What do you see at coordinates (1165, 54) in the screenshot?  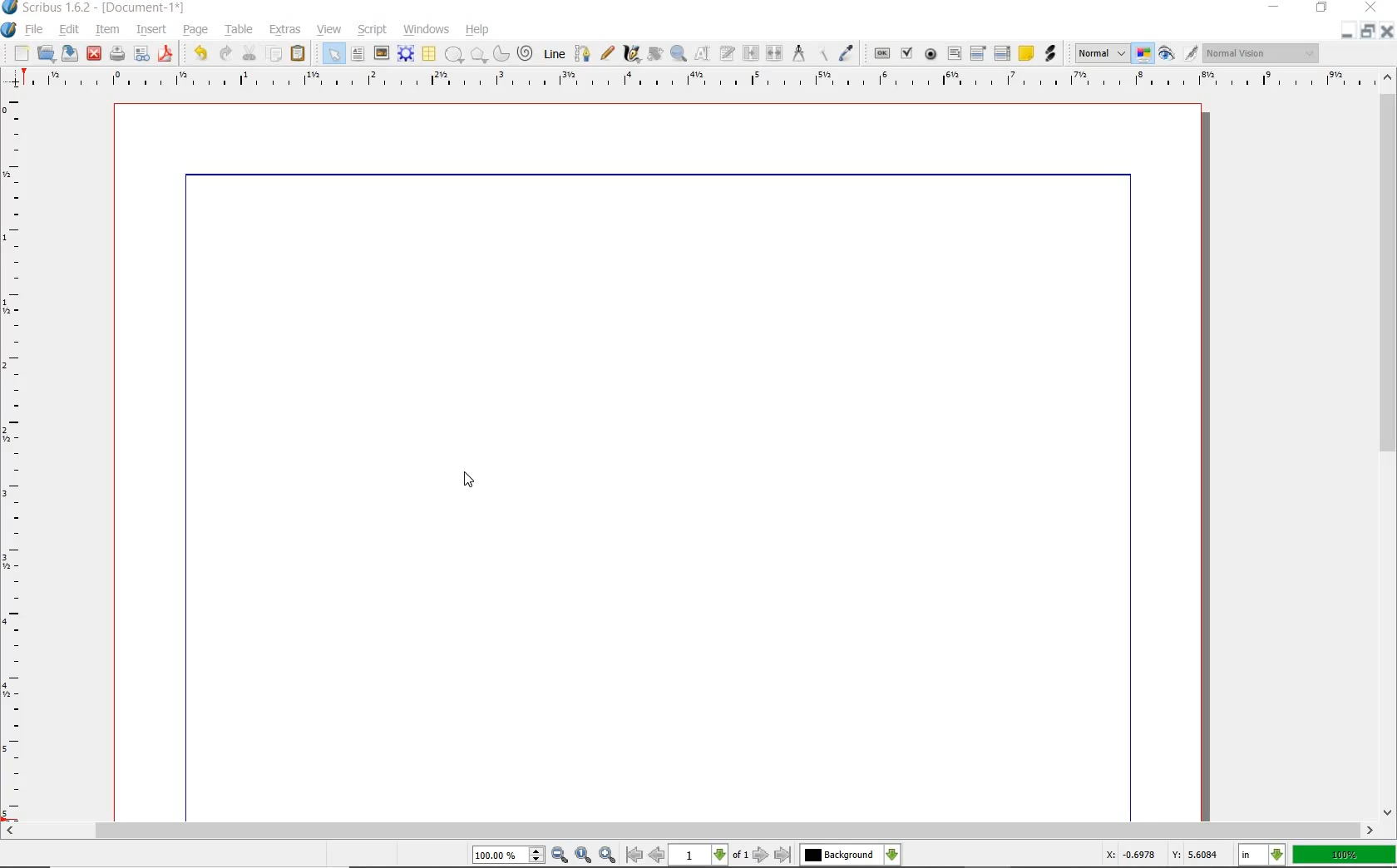 I see `PREVIEW MODE` at bounding box center [1165, 54].